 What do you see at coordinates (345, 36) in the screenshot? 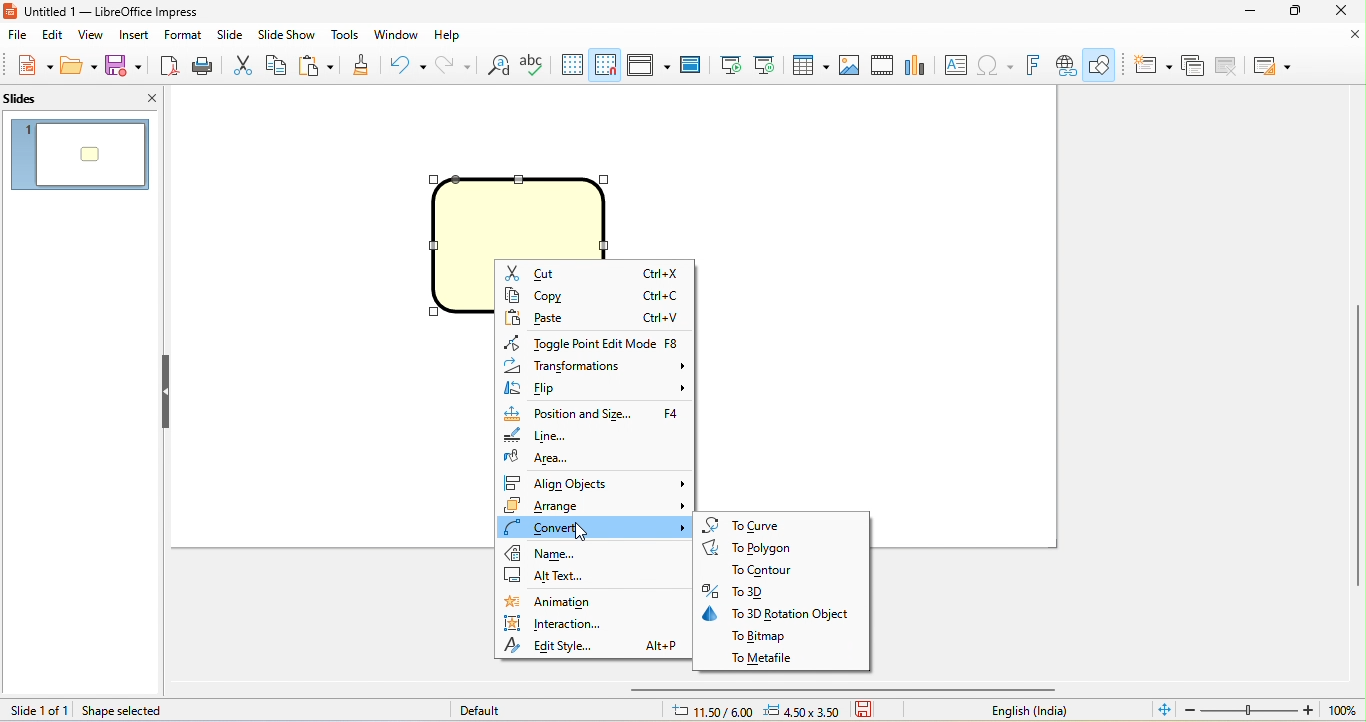
I see `tools` at bounding box center [345, 36].